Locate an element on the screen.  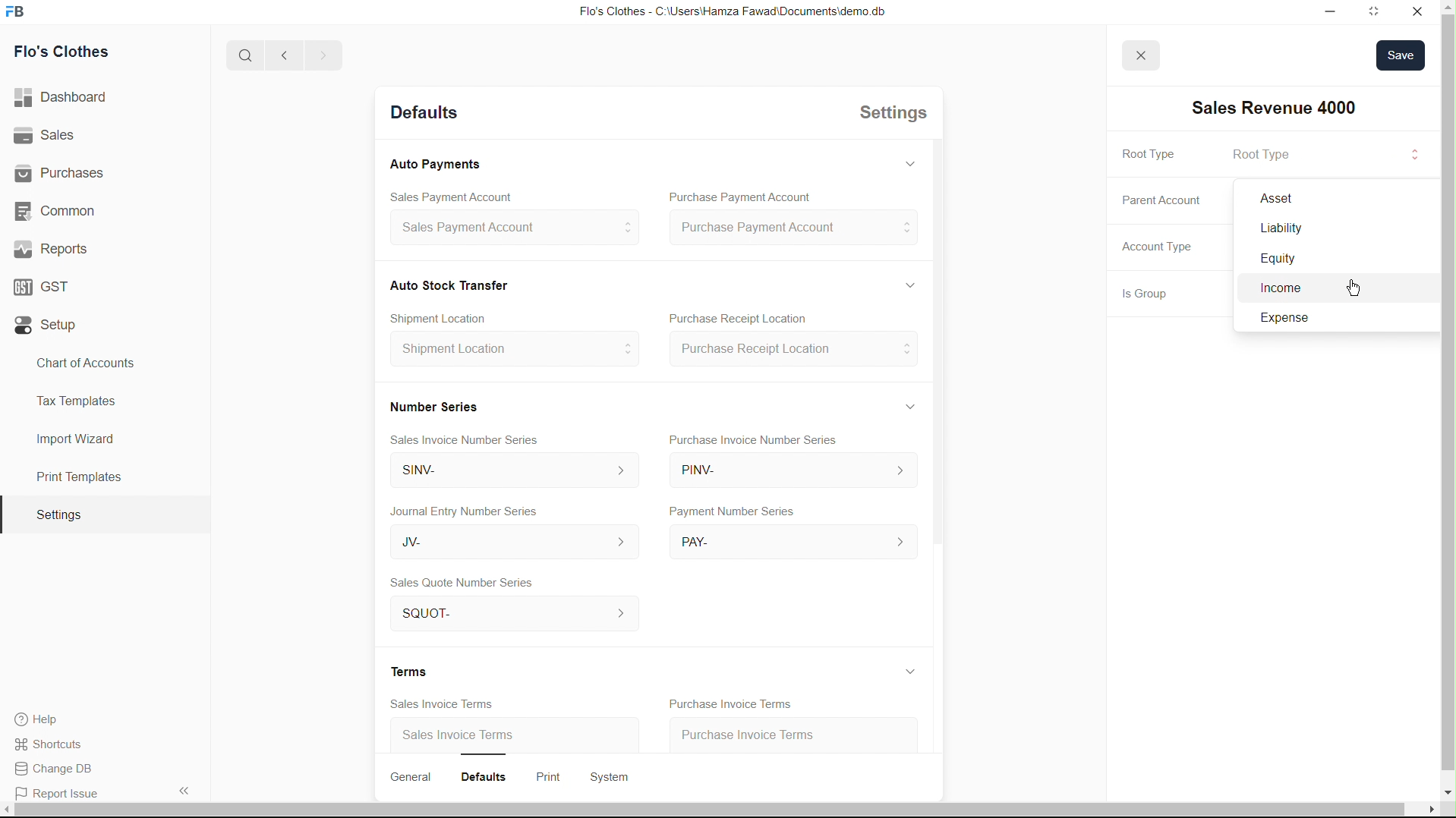
Flo's Clothes is located at coordinates (68, 54).